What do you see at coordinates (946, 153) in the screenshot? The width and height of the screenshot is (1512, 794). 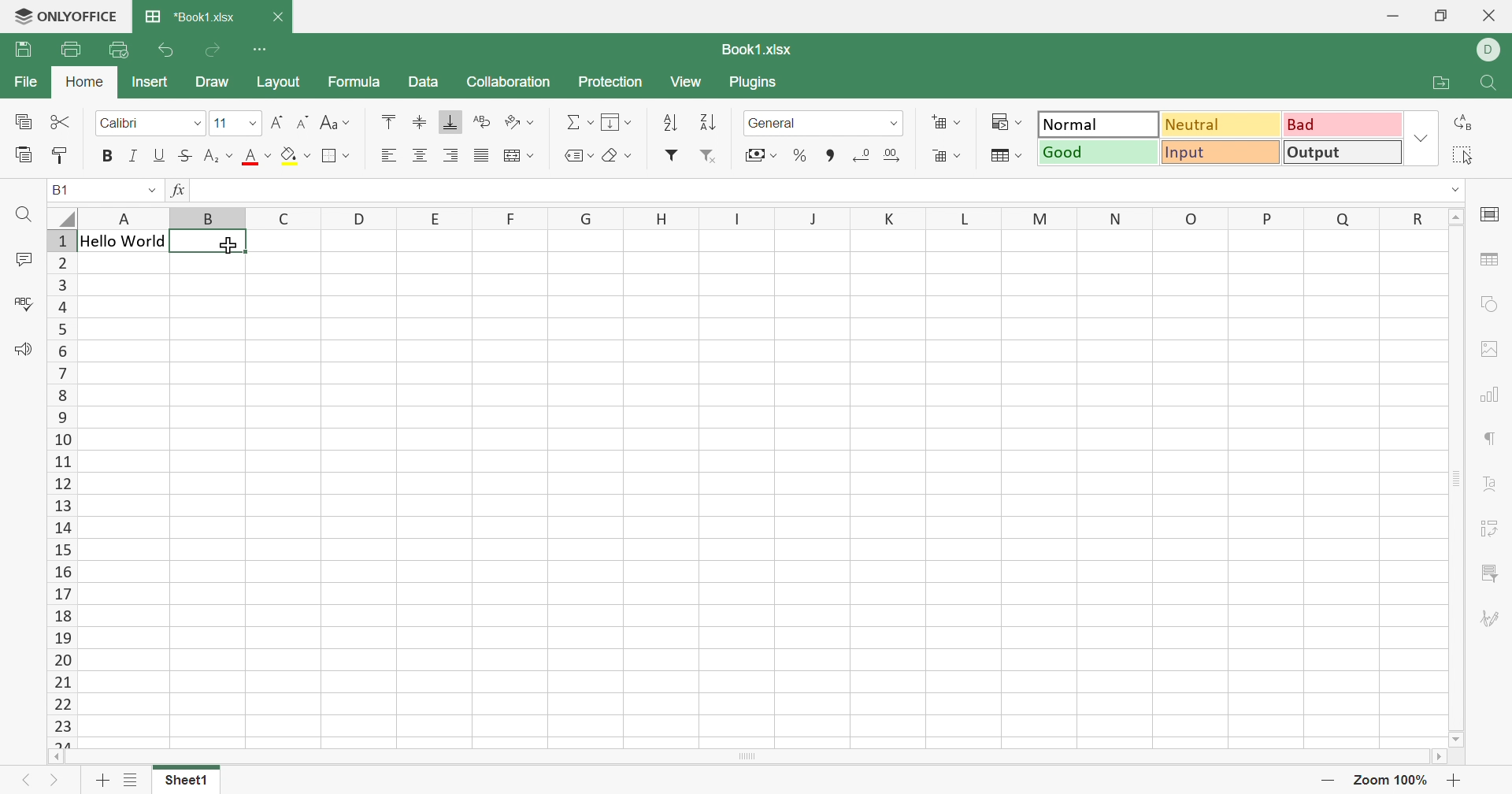 I see `Decreace cells` at bounding box center [946, 153].